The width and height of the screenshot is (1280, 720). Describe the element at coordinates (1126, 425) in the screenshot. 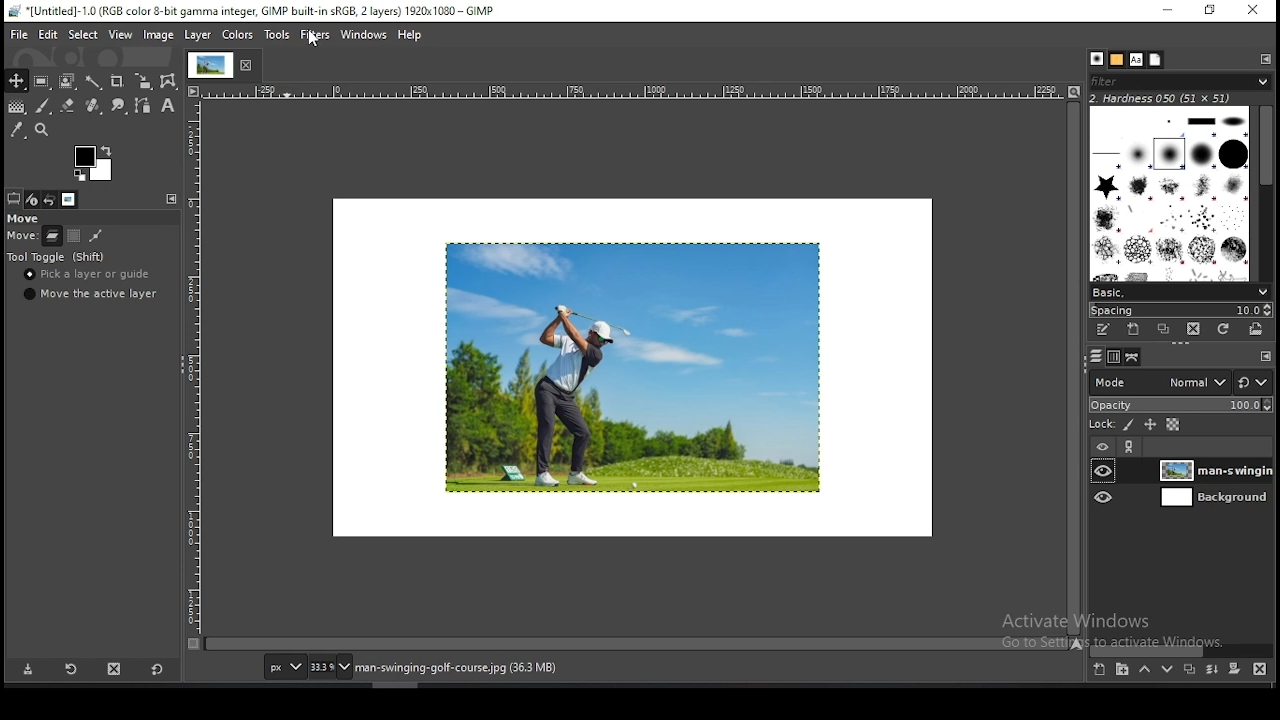

I see `lock pixels` at that location.